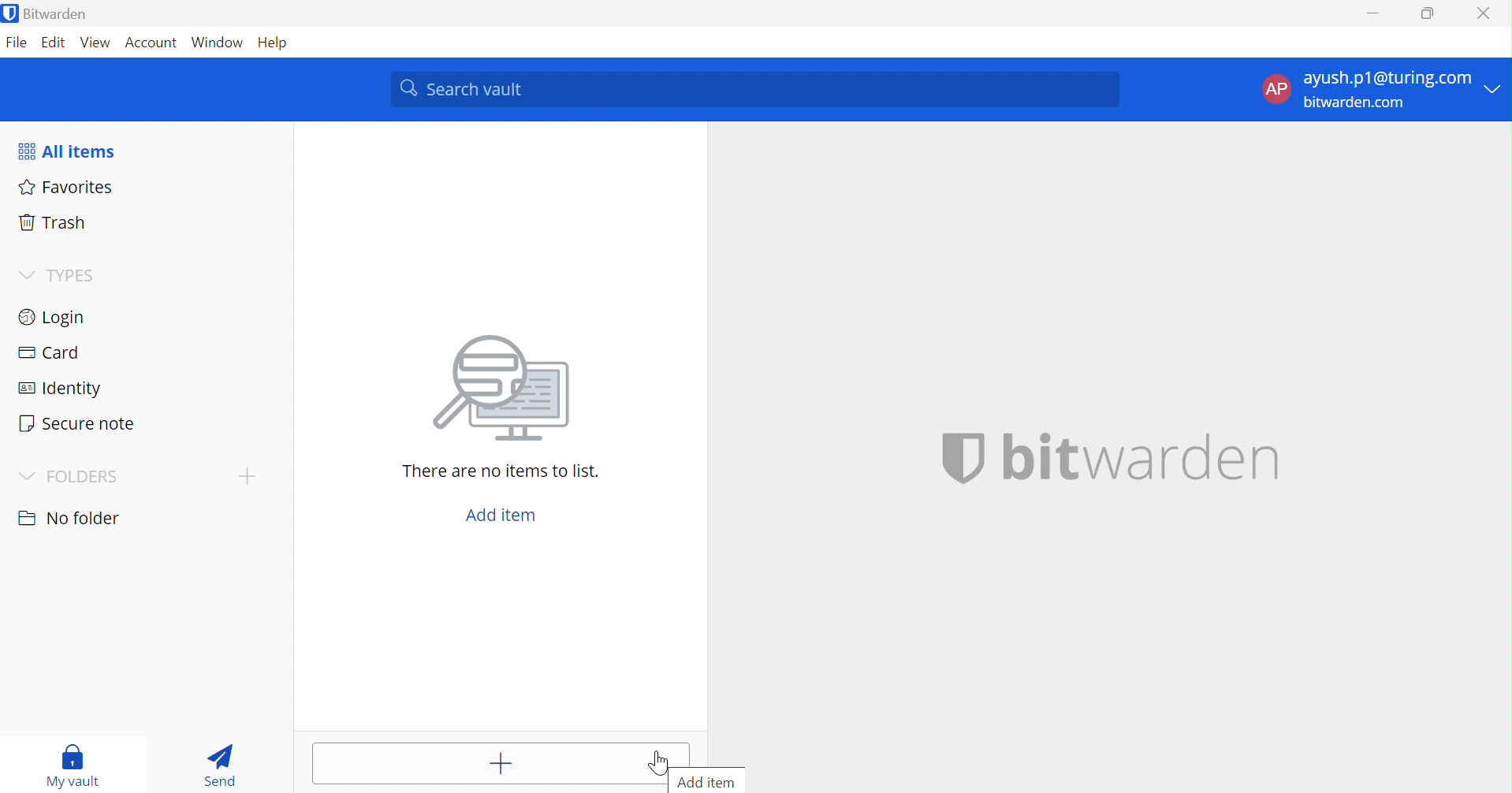 Image resolution: width=1512 pixels, height=793 pixels. I want to click on Account, so click(154, 43).